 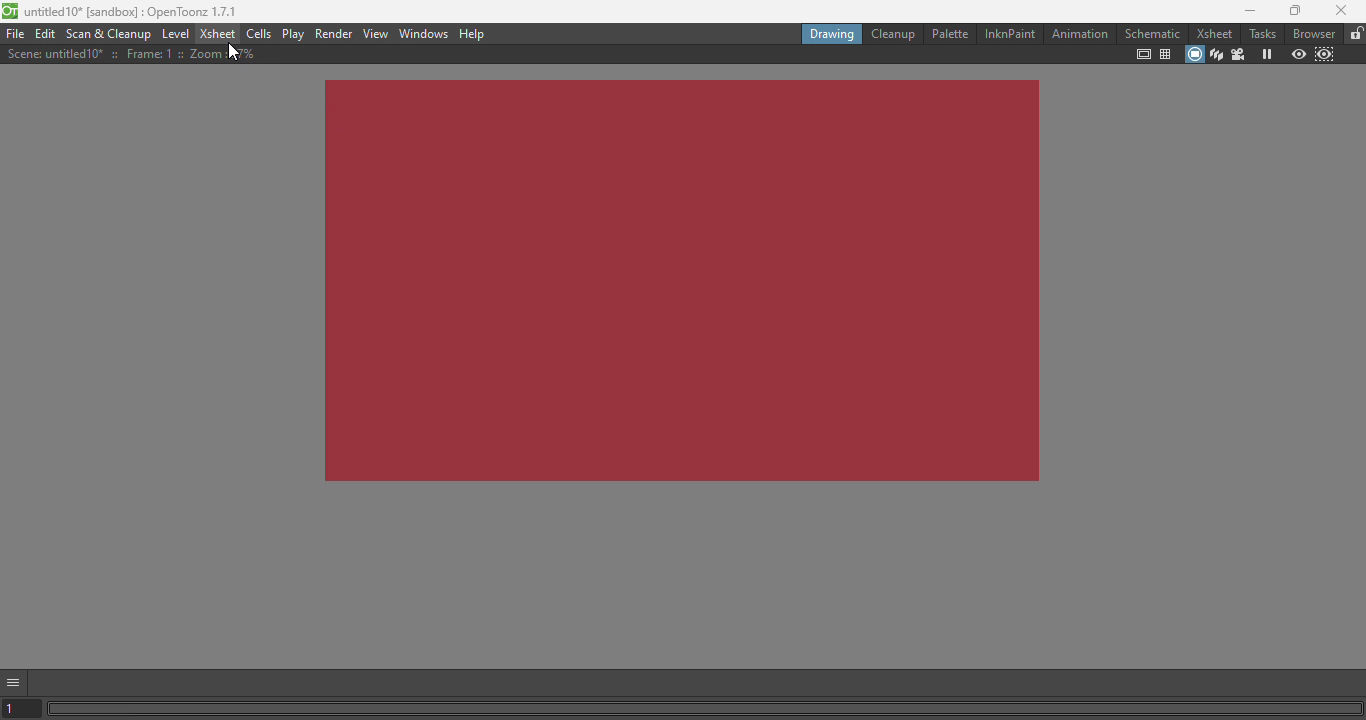 I want to click on Help, so click(x=472, y=34).